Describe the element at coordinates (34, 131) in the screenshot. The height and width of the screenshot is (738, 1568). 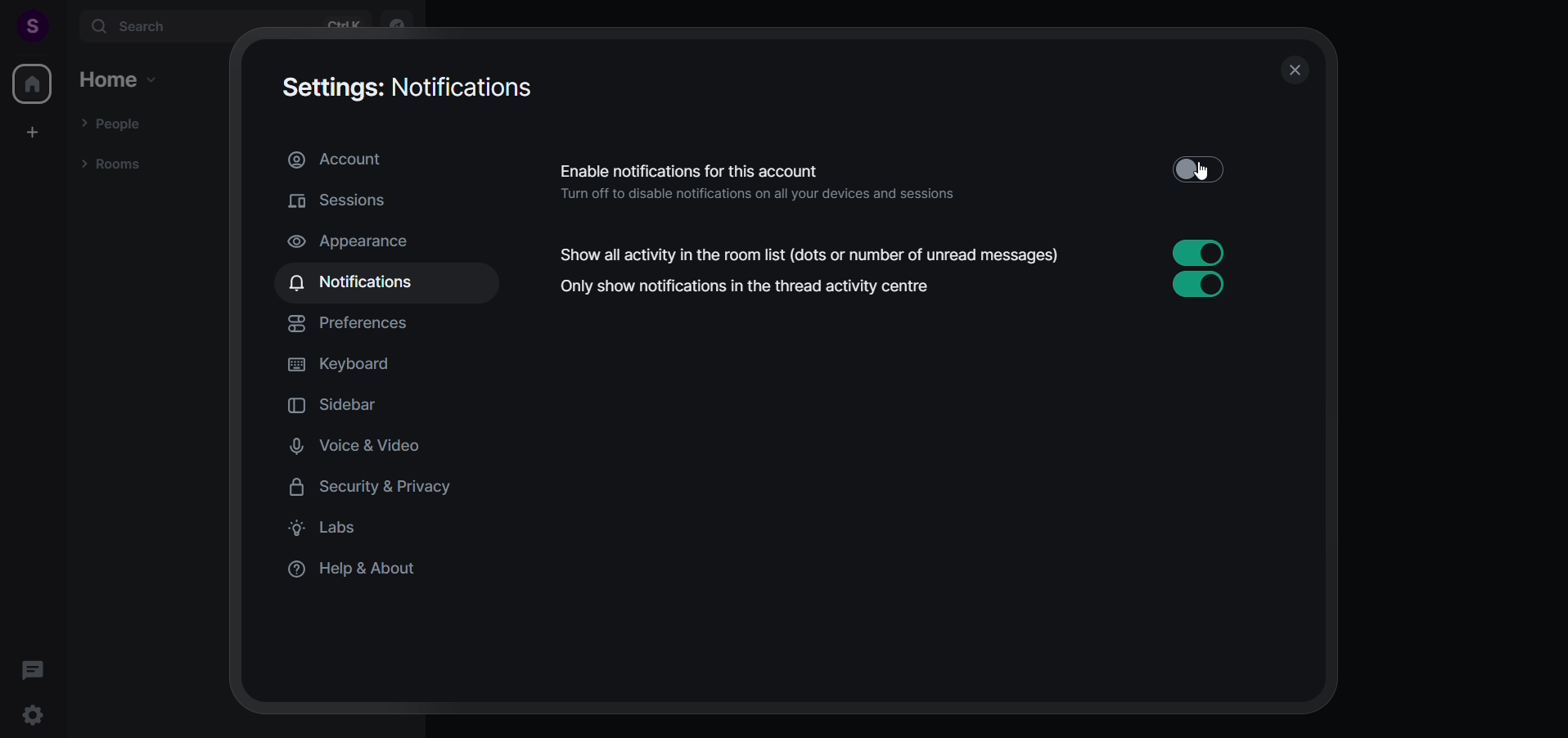
I see `create a space` at that location.